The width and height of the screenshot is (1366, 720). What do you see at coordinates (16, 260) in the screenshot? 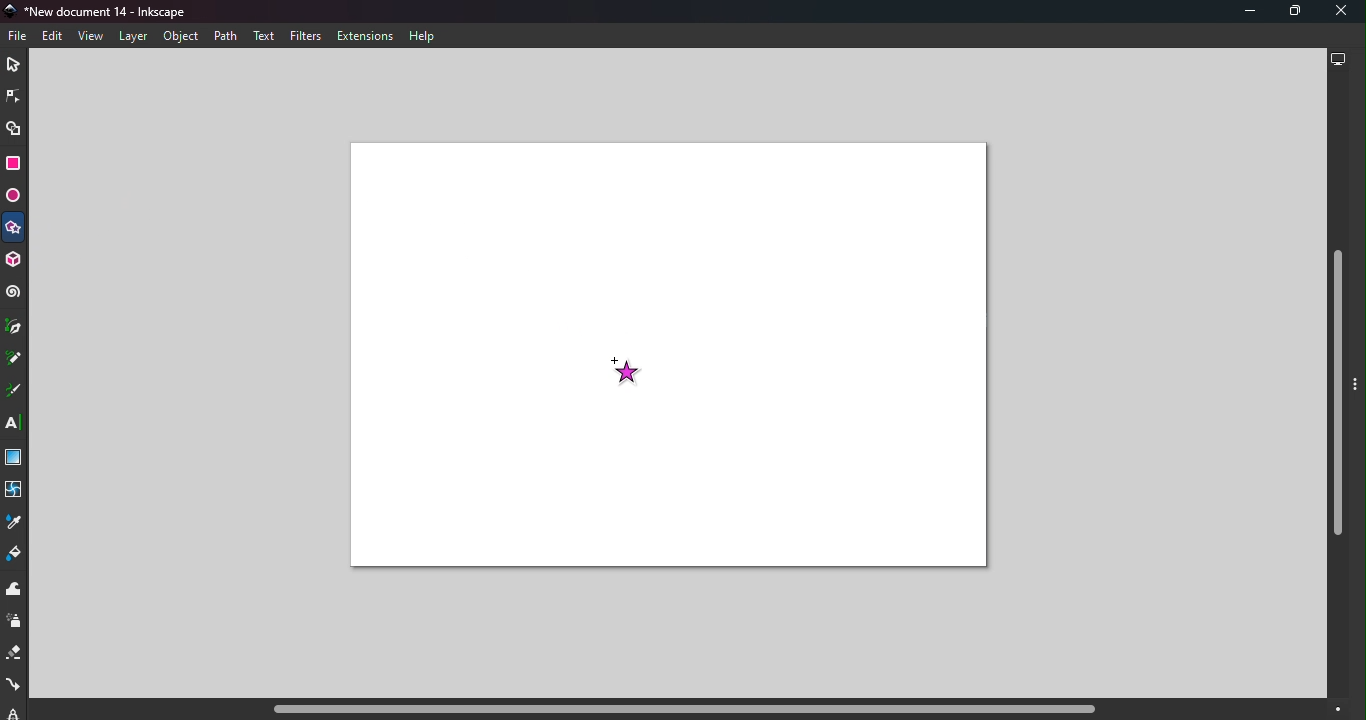
I see `3D box tool` at bounding box center [16, 260].